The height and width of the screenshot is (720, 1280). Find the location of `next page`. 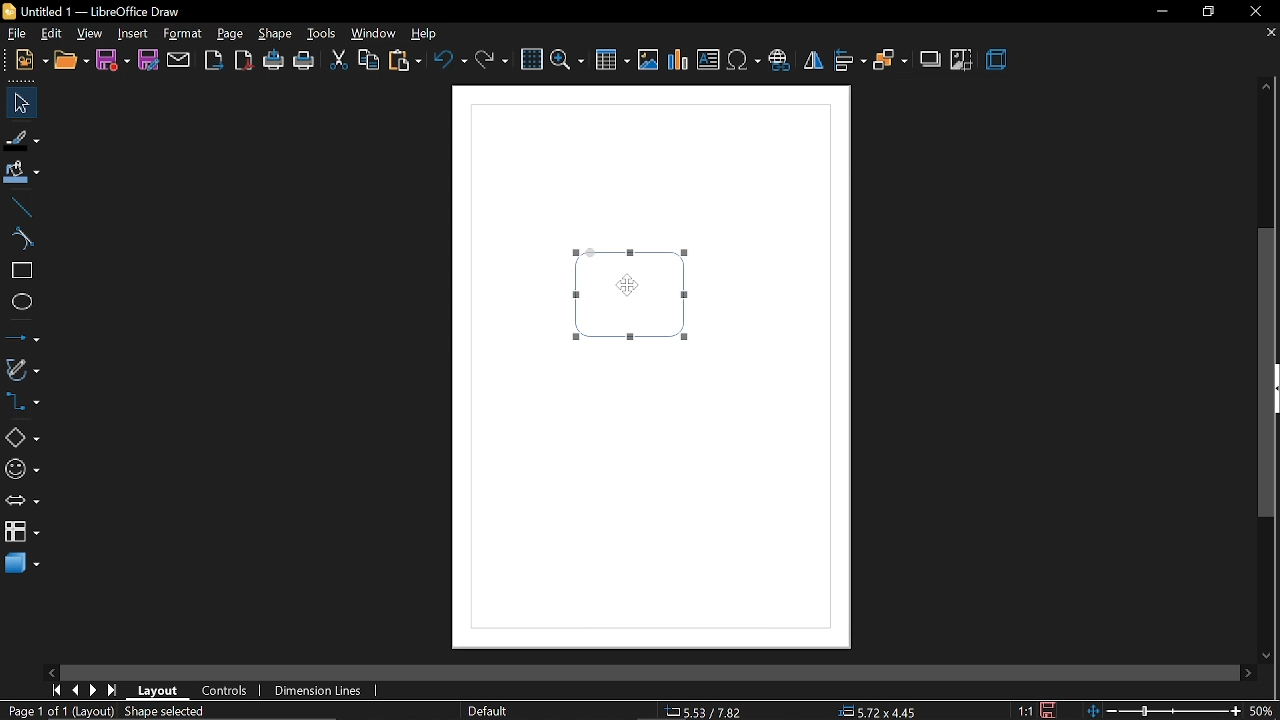

next page is located at coordinates (93, 691).